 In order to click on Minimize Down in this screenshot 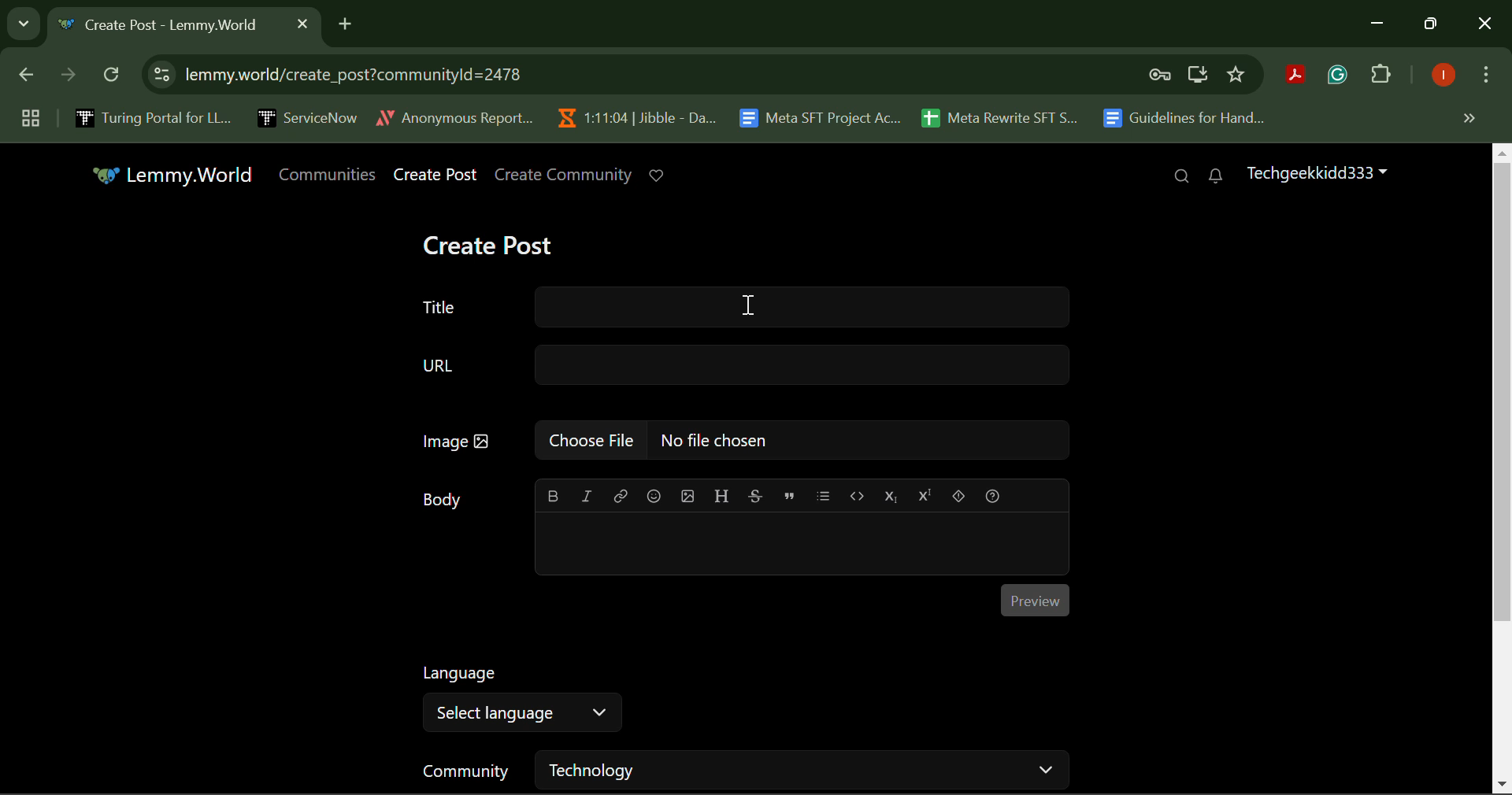, I will do `click(1380, 24)`.